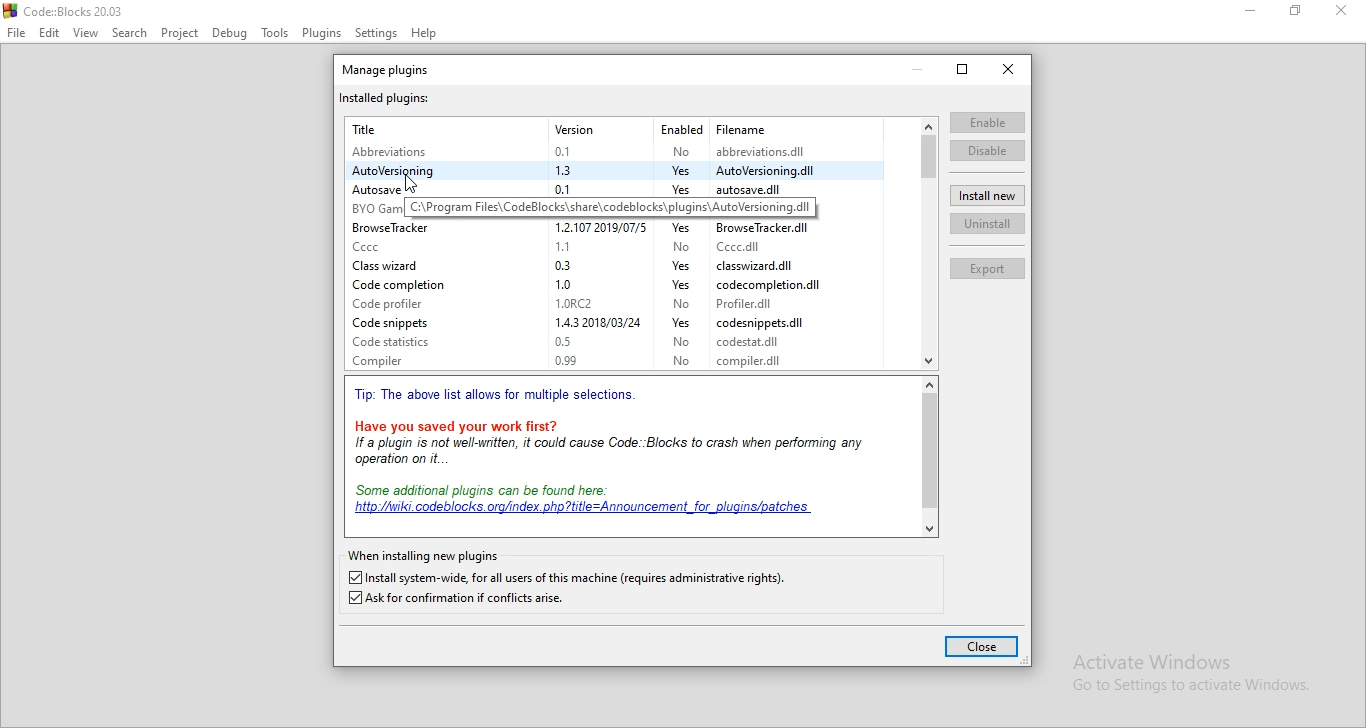 Image resolution: width=1366 pixels, height=728 pixels. I want to click on close, so click(982, 646).